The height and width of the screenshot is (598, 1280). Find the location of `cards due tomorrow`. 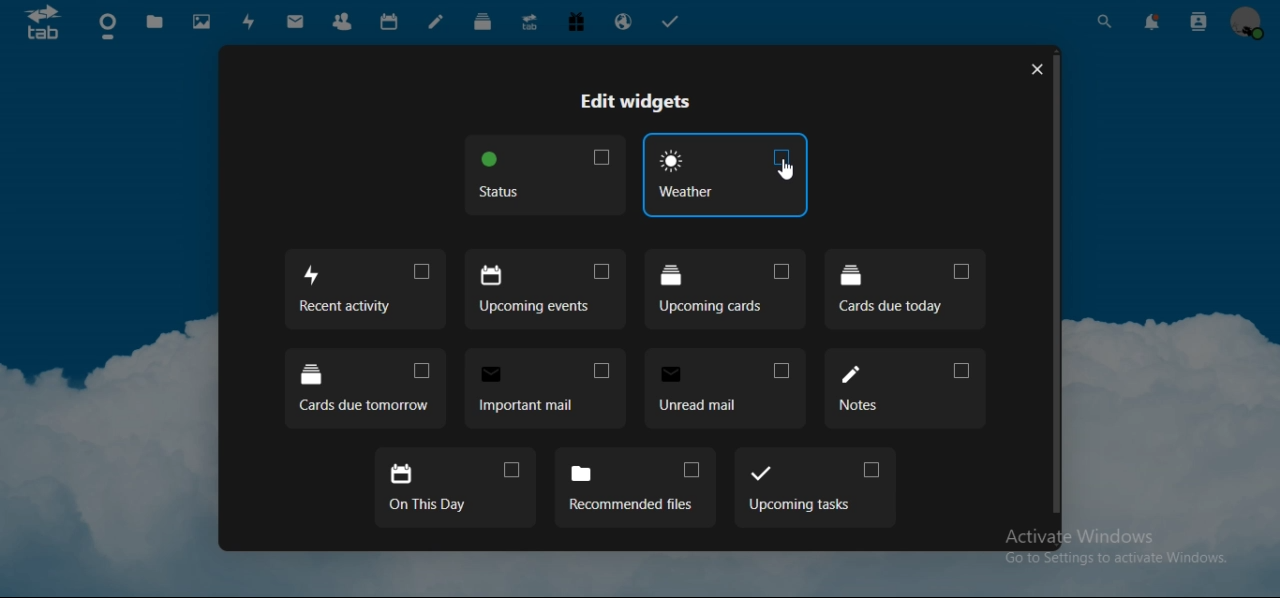

cards due tomorrow is located at coordinates (365, 390).